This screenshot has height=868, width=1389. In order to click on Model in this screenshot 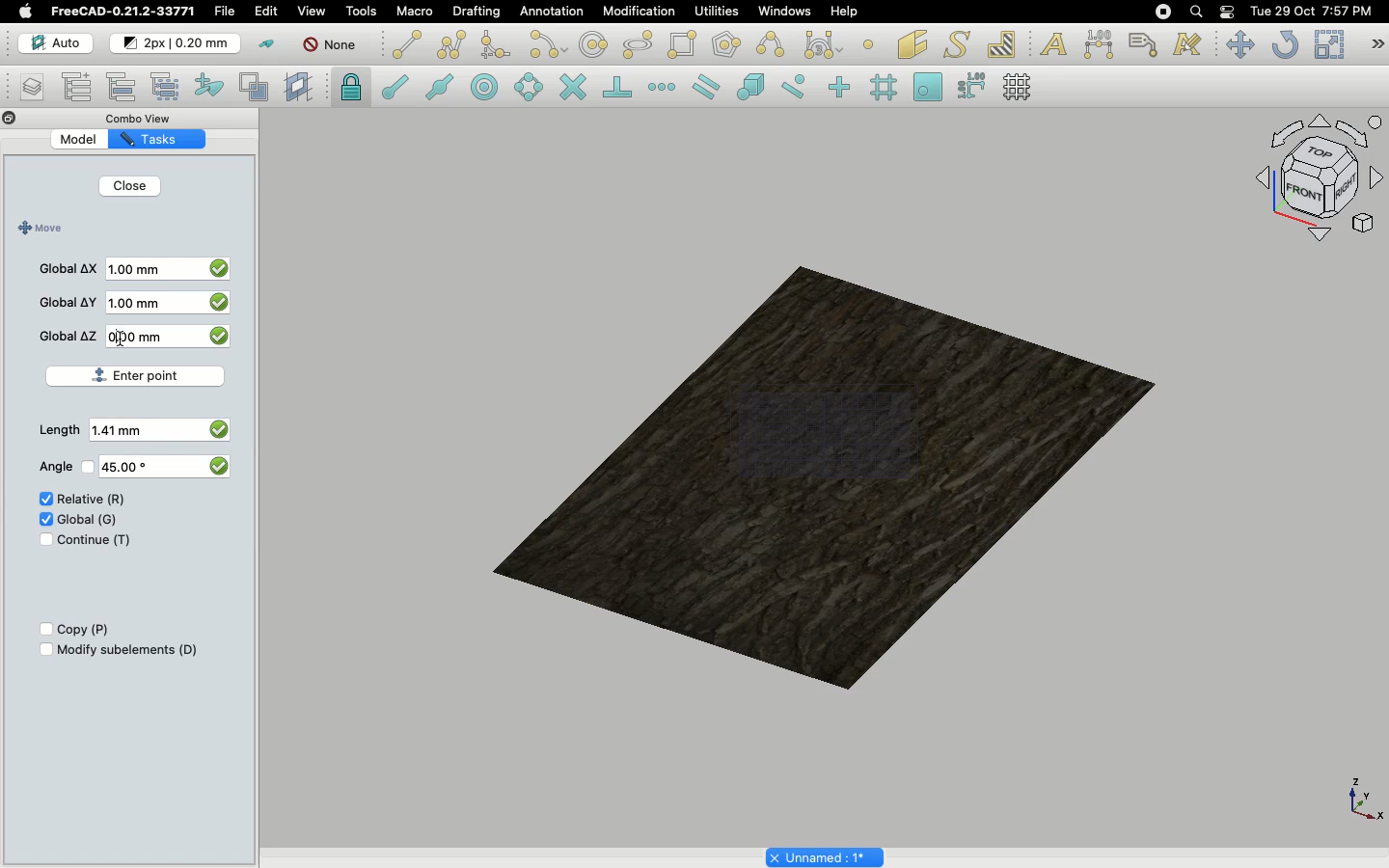, I will do `click(92, 140)`.